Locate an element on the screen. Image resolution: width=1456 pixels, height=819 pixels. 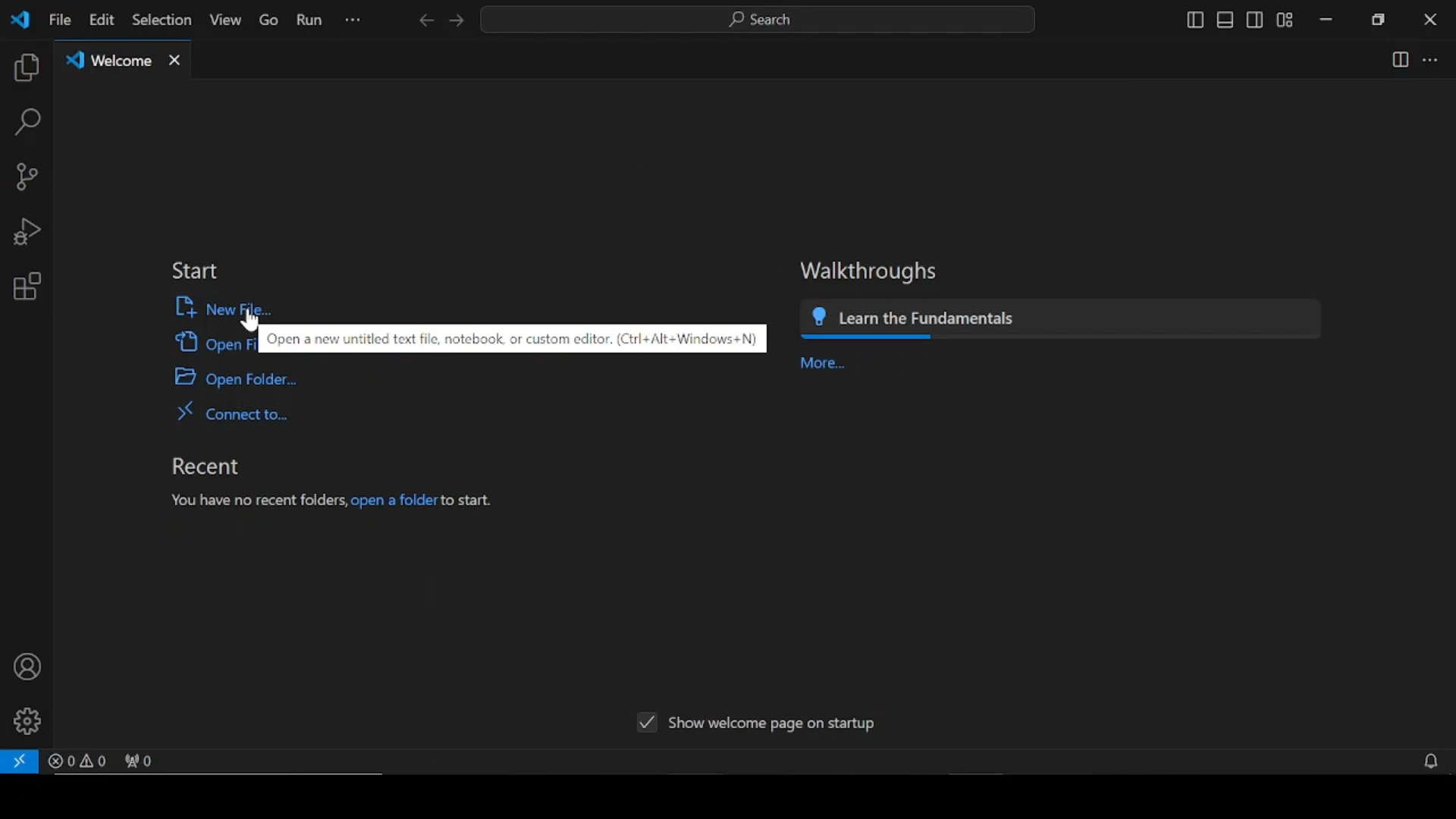
start is located at coordinates (196, 271).